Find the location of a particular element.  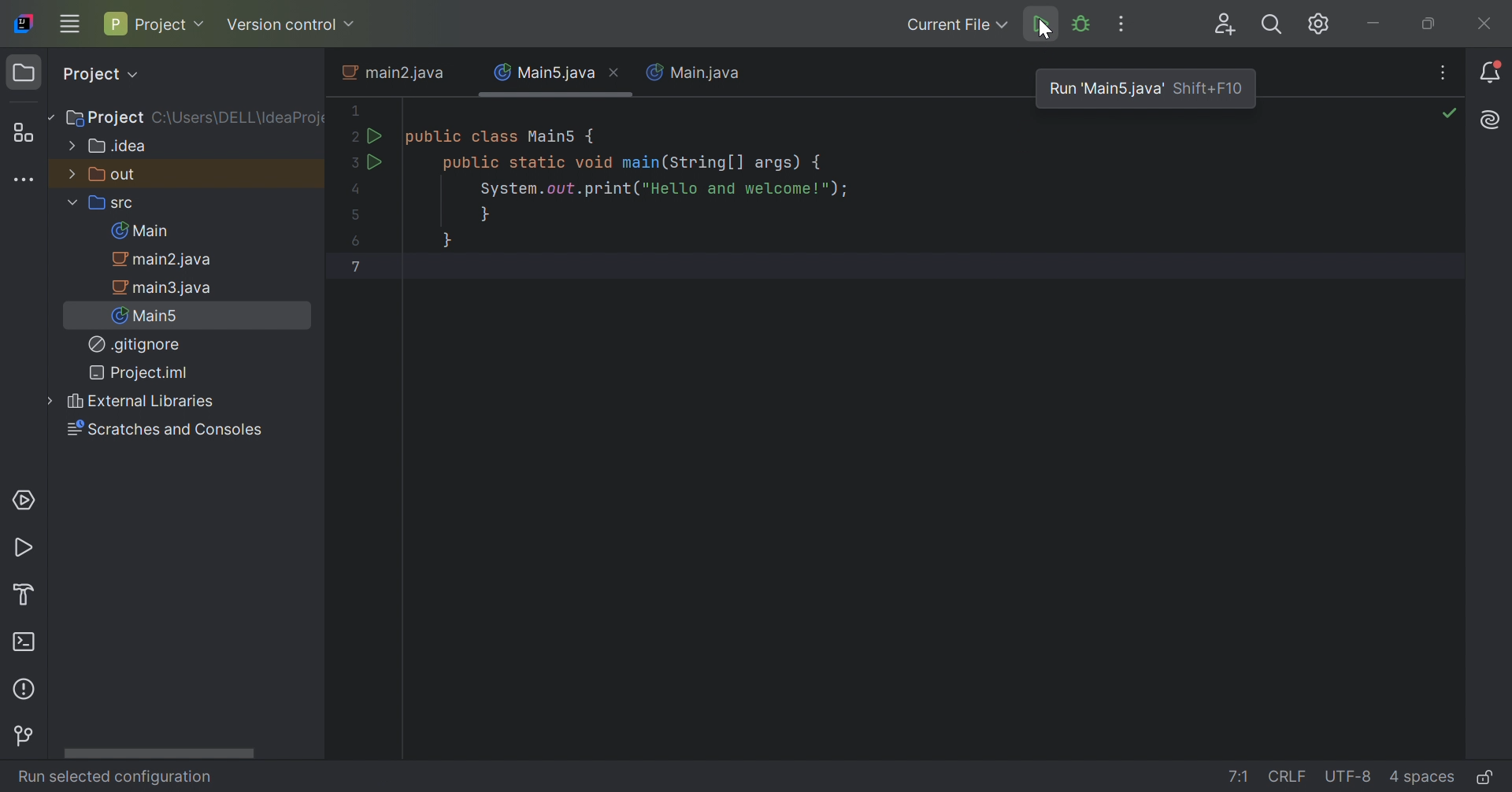

Main is located at coordinates (139, 232).